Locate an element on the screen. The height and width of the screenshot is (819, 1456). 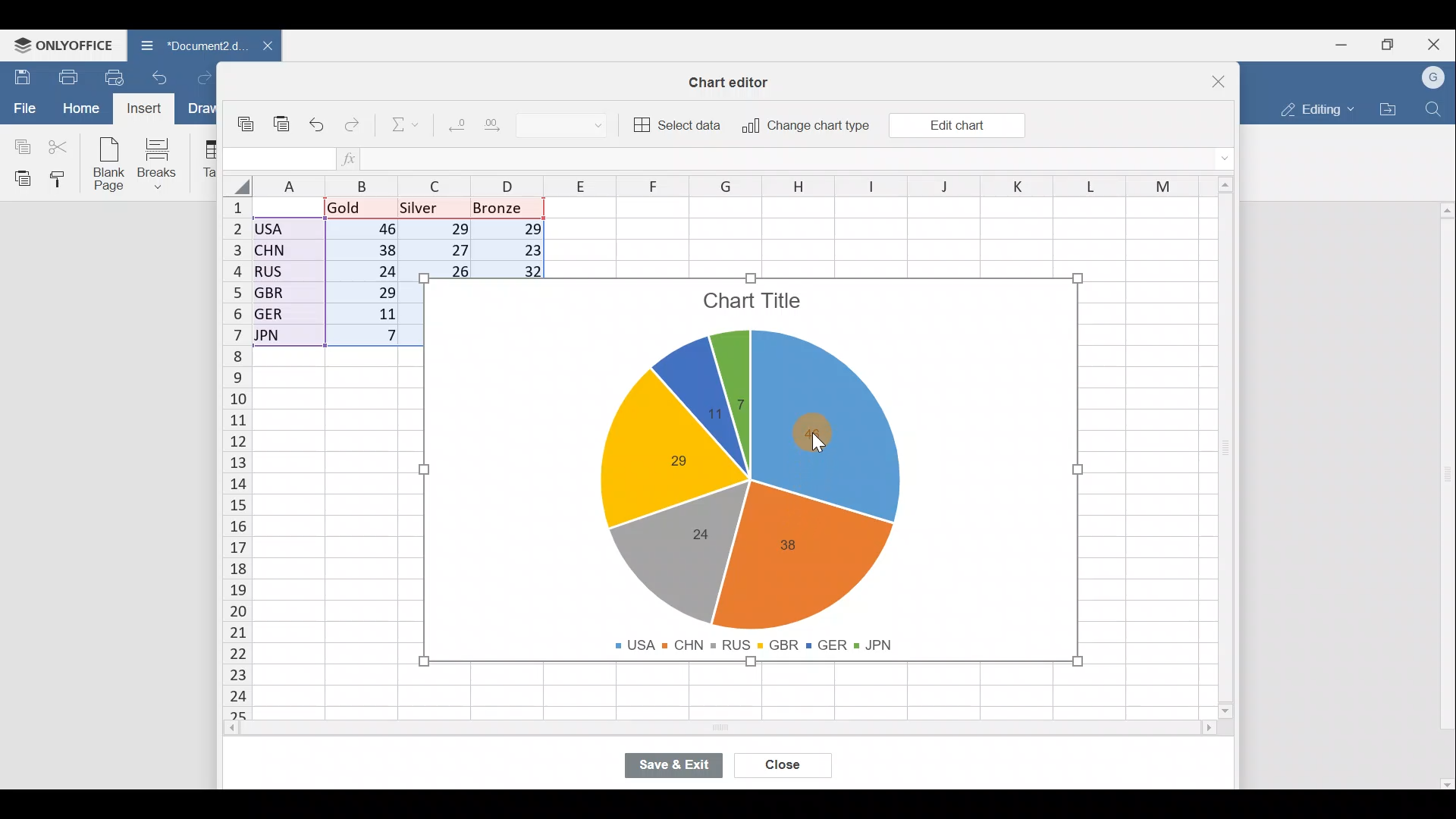
Paste is located at coordinates (283, 129).